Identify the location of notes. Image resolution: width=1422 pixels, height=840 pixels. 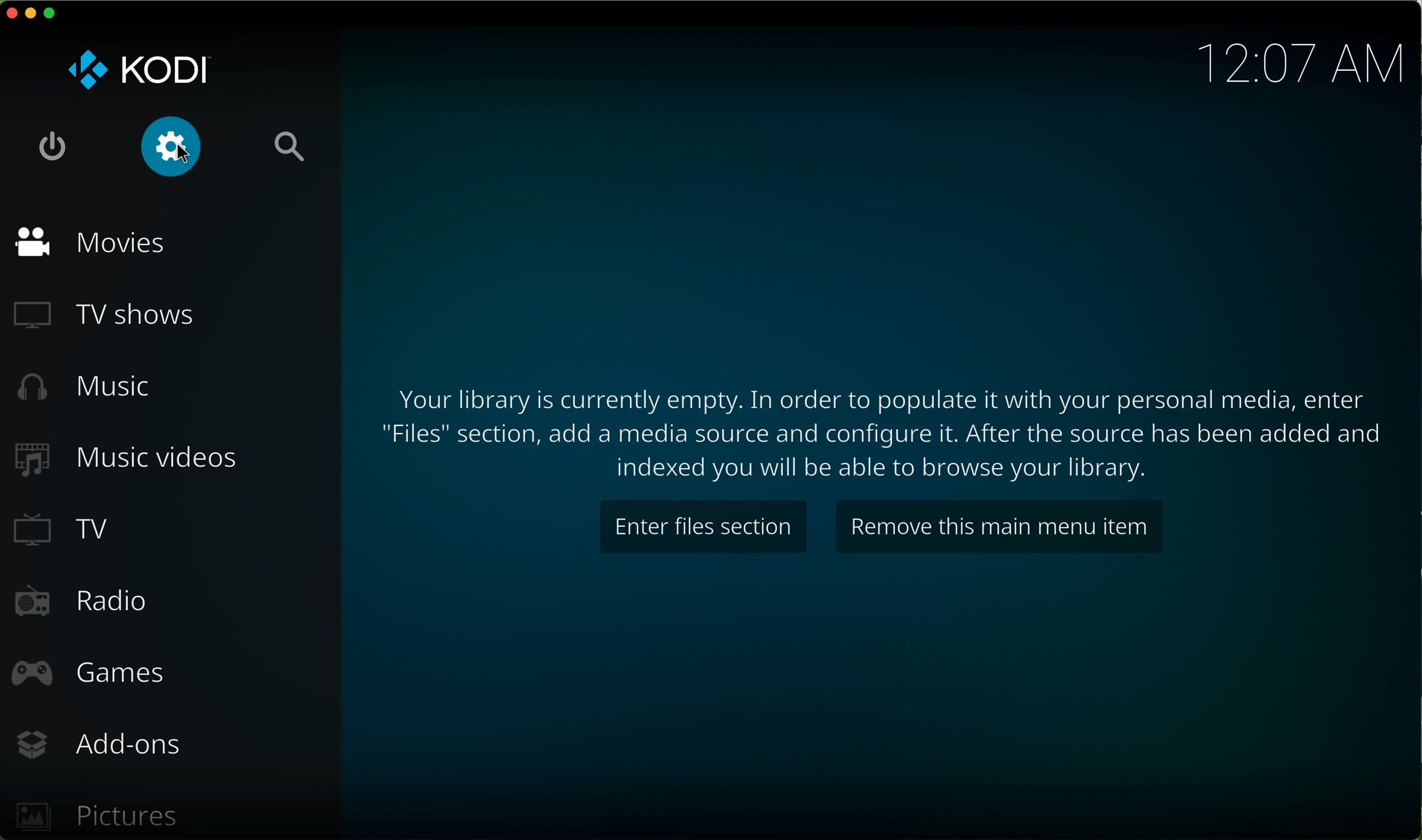
(888, 432).